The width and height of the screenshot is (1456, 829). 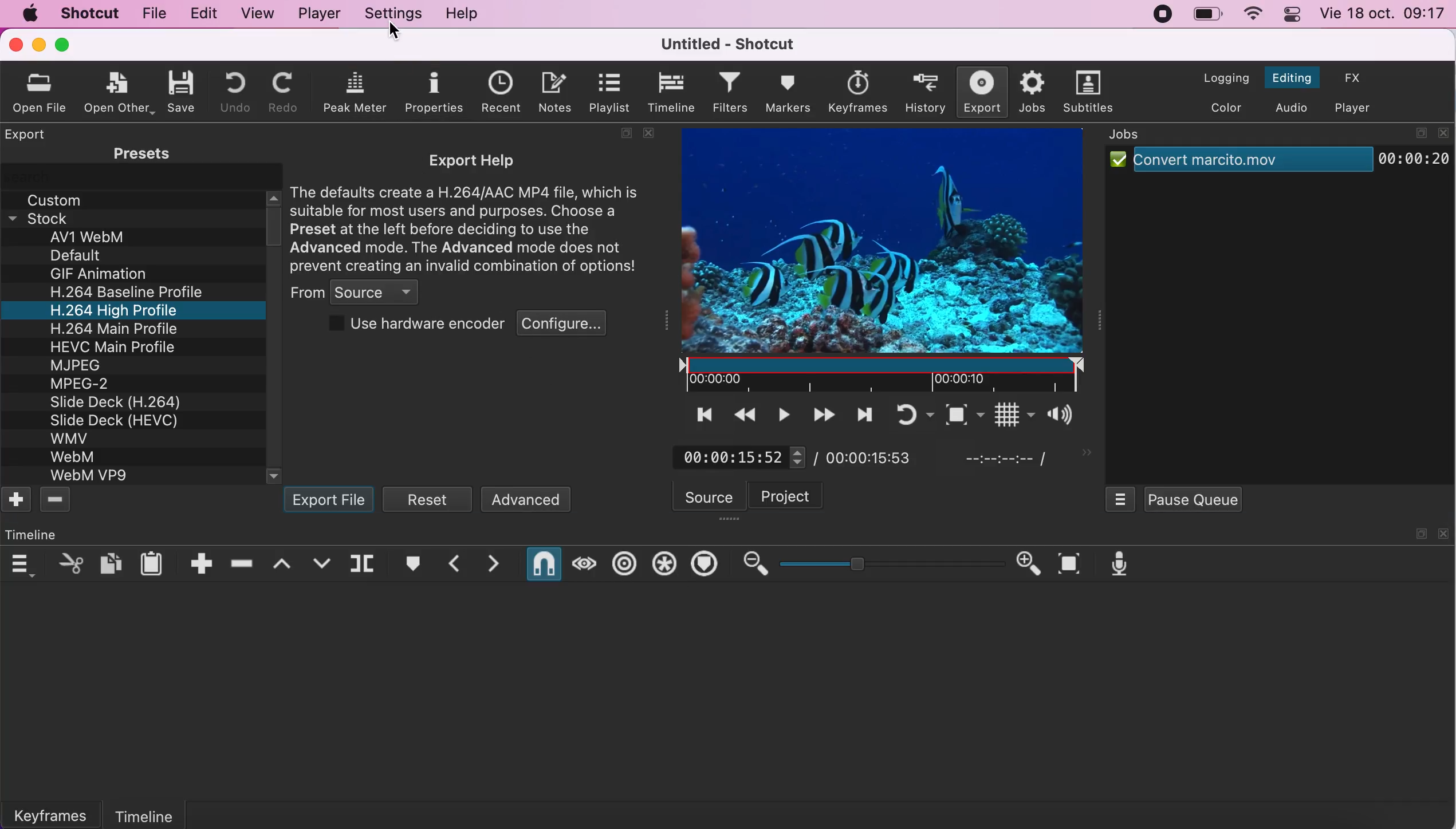 What do you see at coordinates (102, 238) in the screenshot?
I see `av1 webm` at bounding box center [102, 238].